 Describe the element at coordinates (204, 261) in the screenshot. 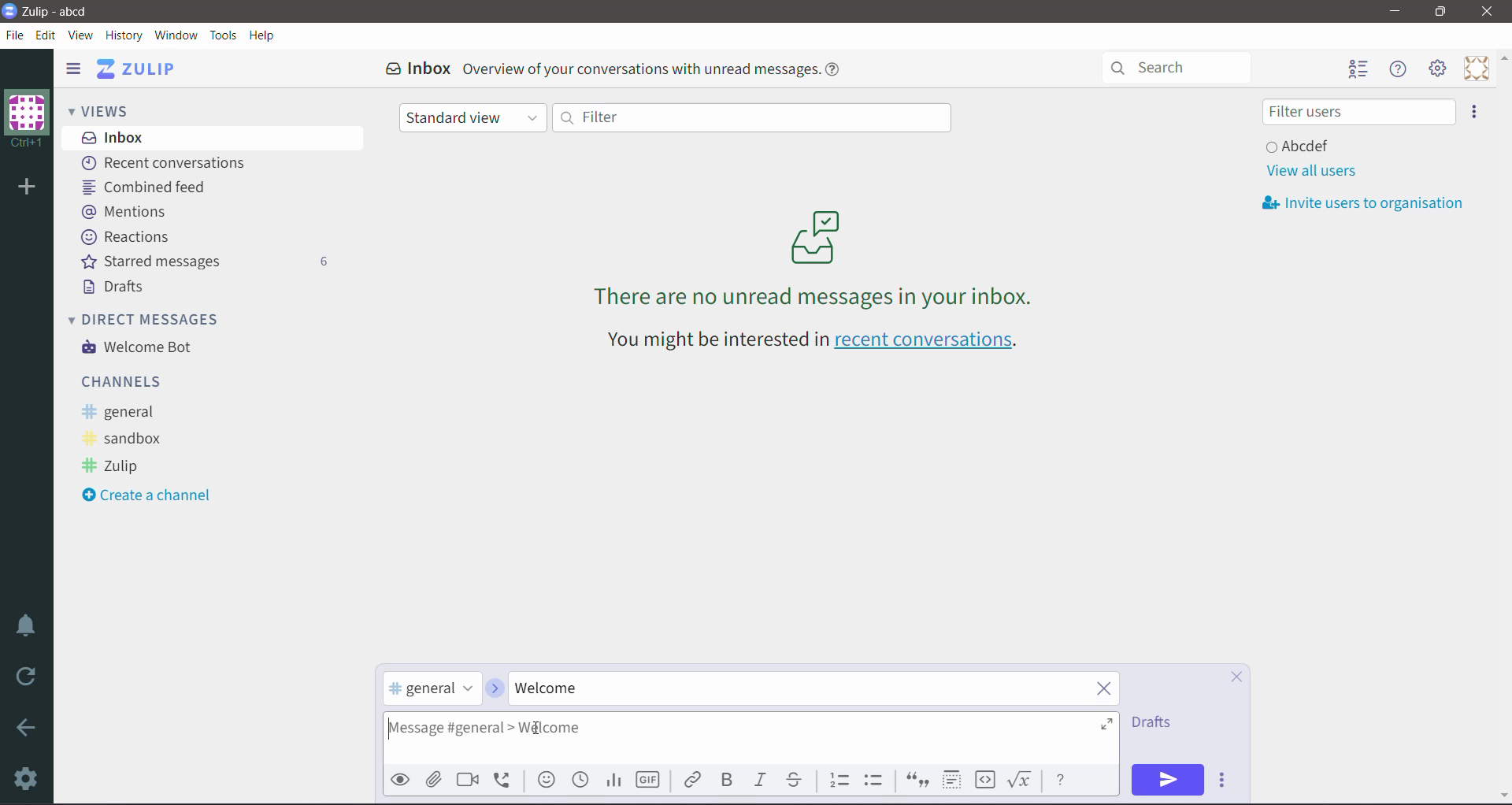

I see `Starred messages` at that location.